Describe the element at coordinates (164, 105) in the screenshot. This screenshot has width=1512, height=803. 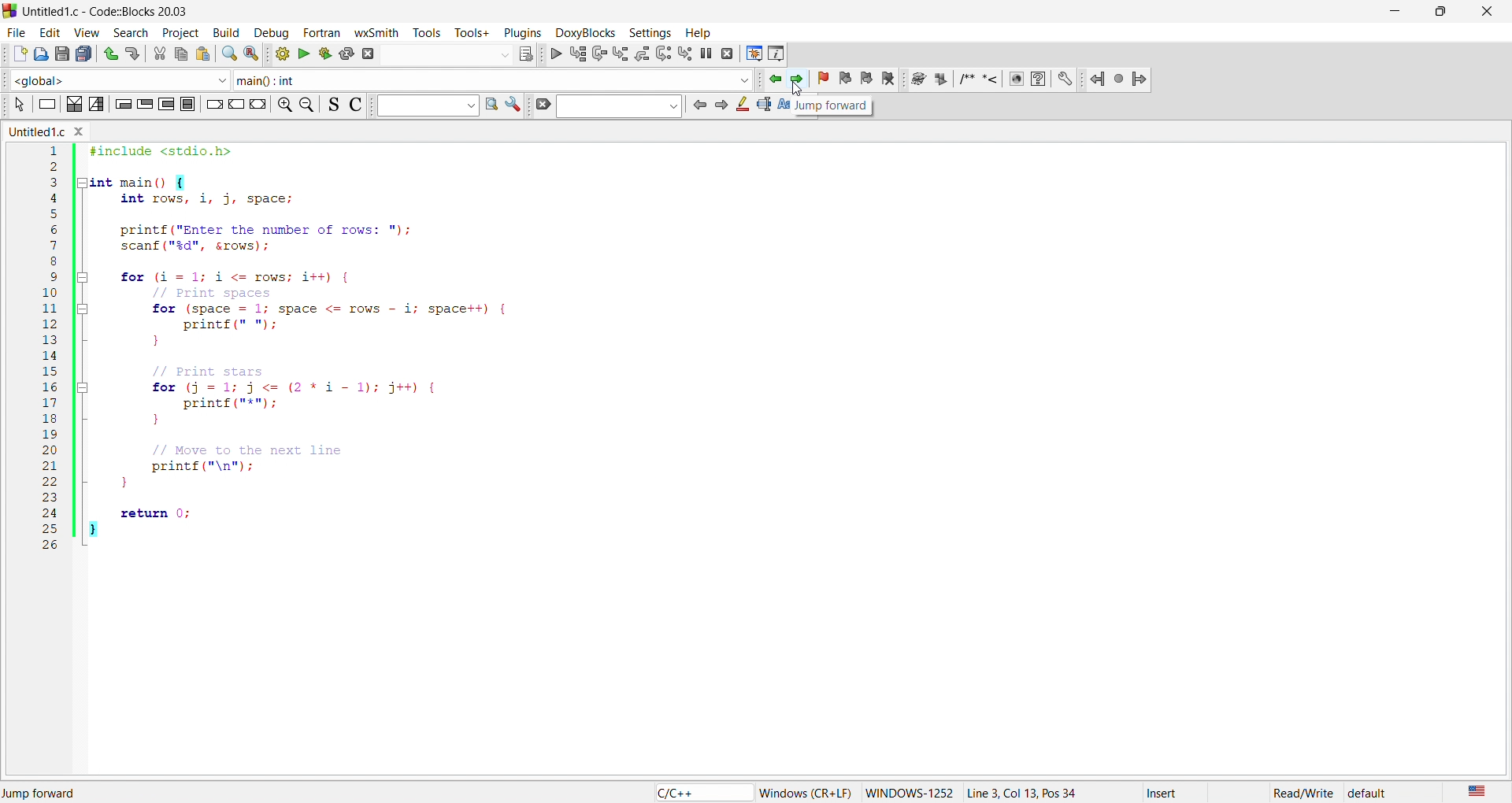
I see `icon` at that location.